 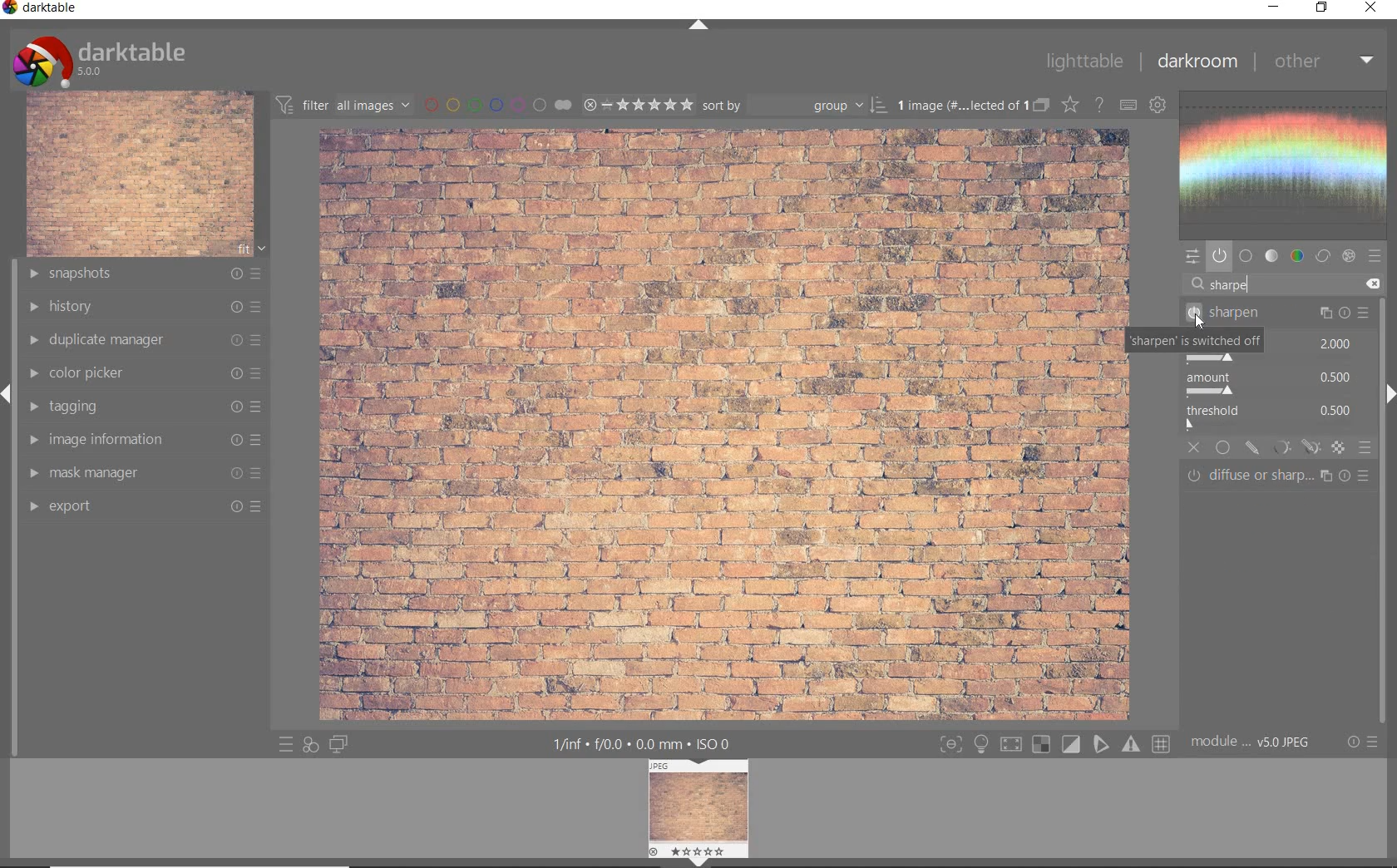 What do you see at coordinates (1281, 476) in the screenshot?
I see `DIFFUSE OR SHARPENNING` at bounding box center [1281, 476].